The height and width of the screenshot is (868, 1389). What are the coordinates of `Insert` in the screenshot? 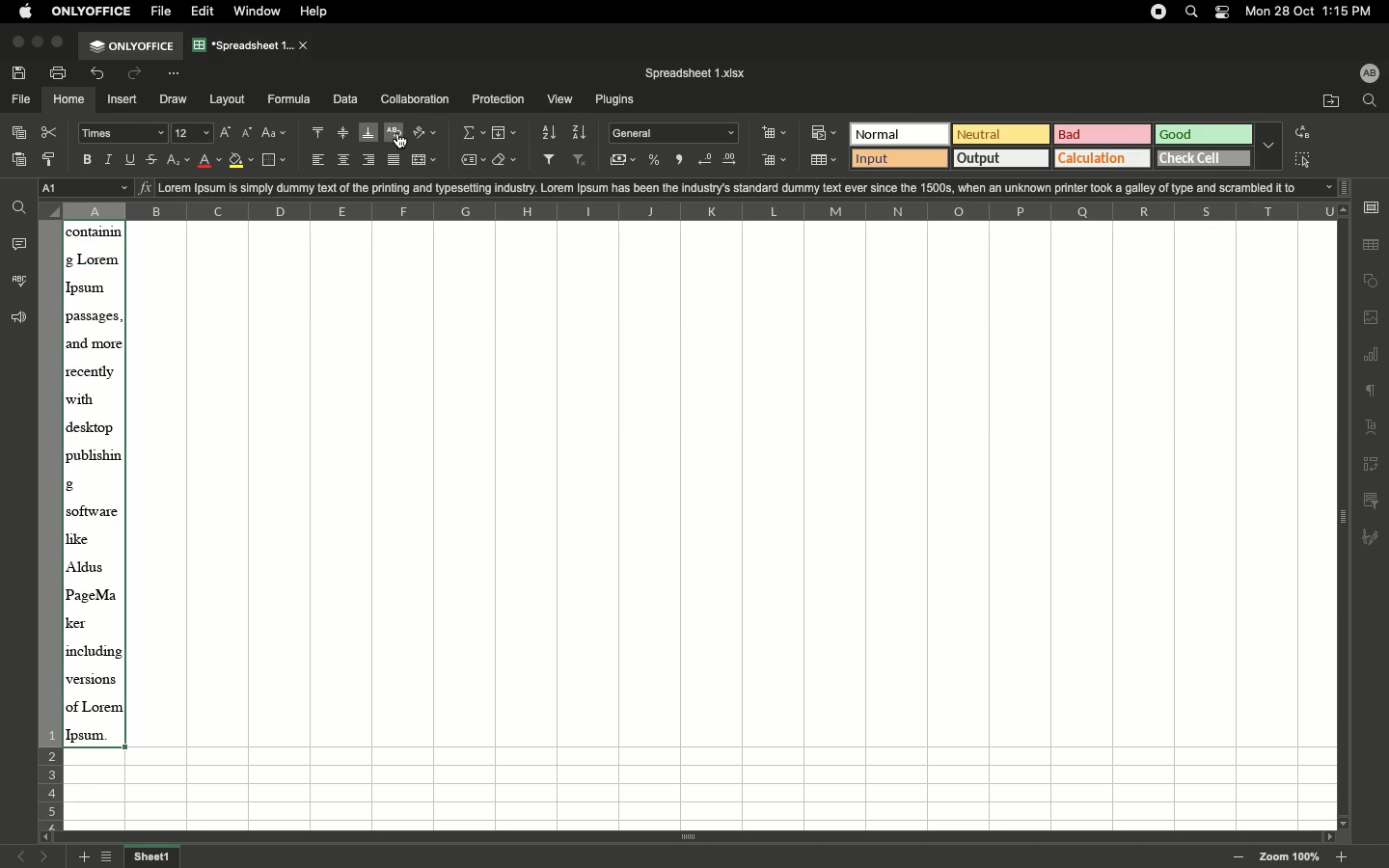 It's located at (123, 100).